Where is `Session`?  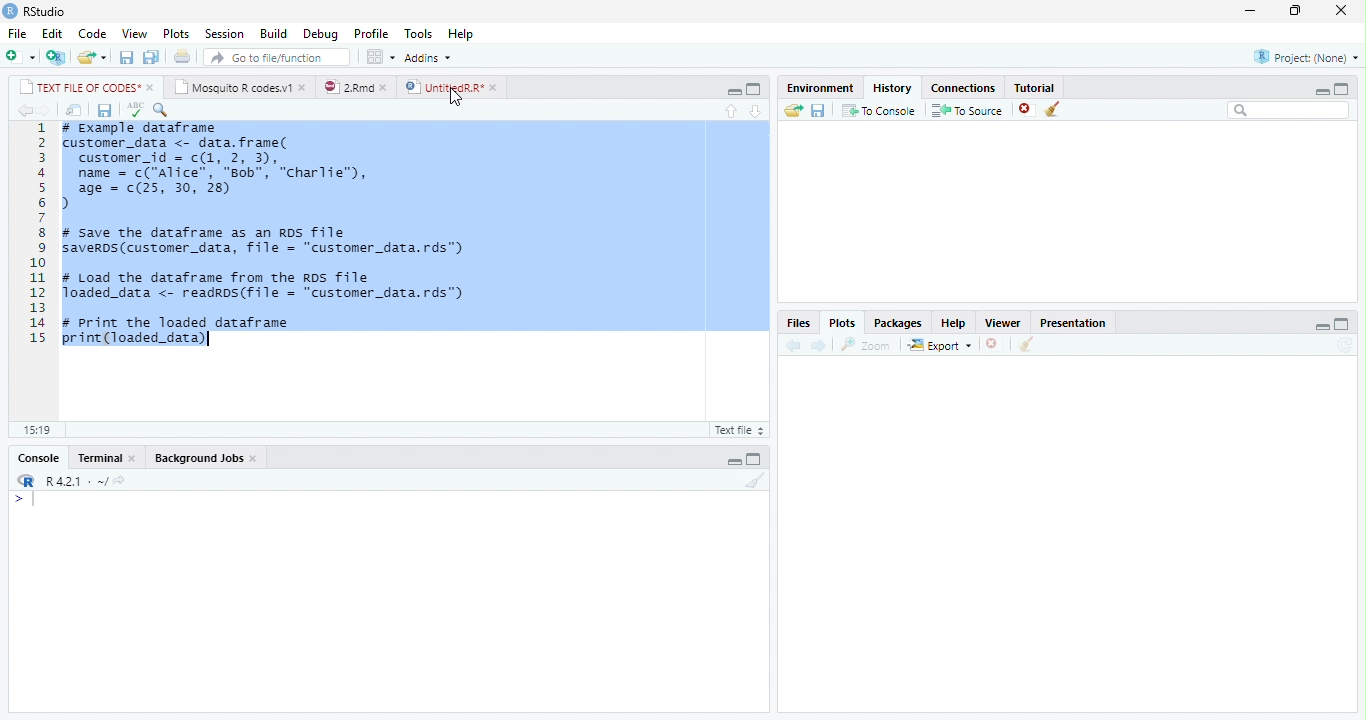
Session is located at coordinates (222, 35).